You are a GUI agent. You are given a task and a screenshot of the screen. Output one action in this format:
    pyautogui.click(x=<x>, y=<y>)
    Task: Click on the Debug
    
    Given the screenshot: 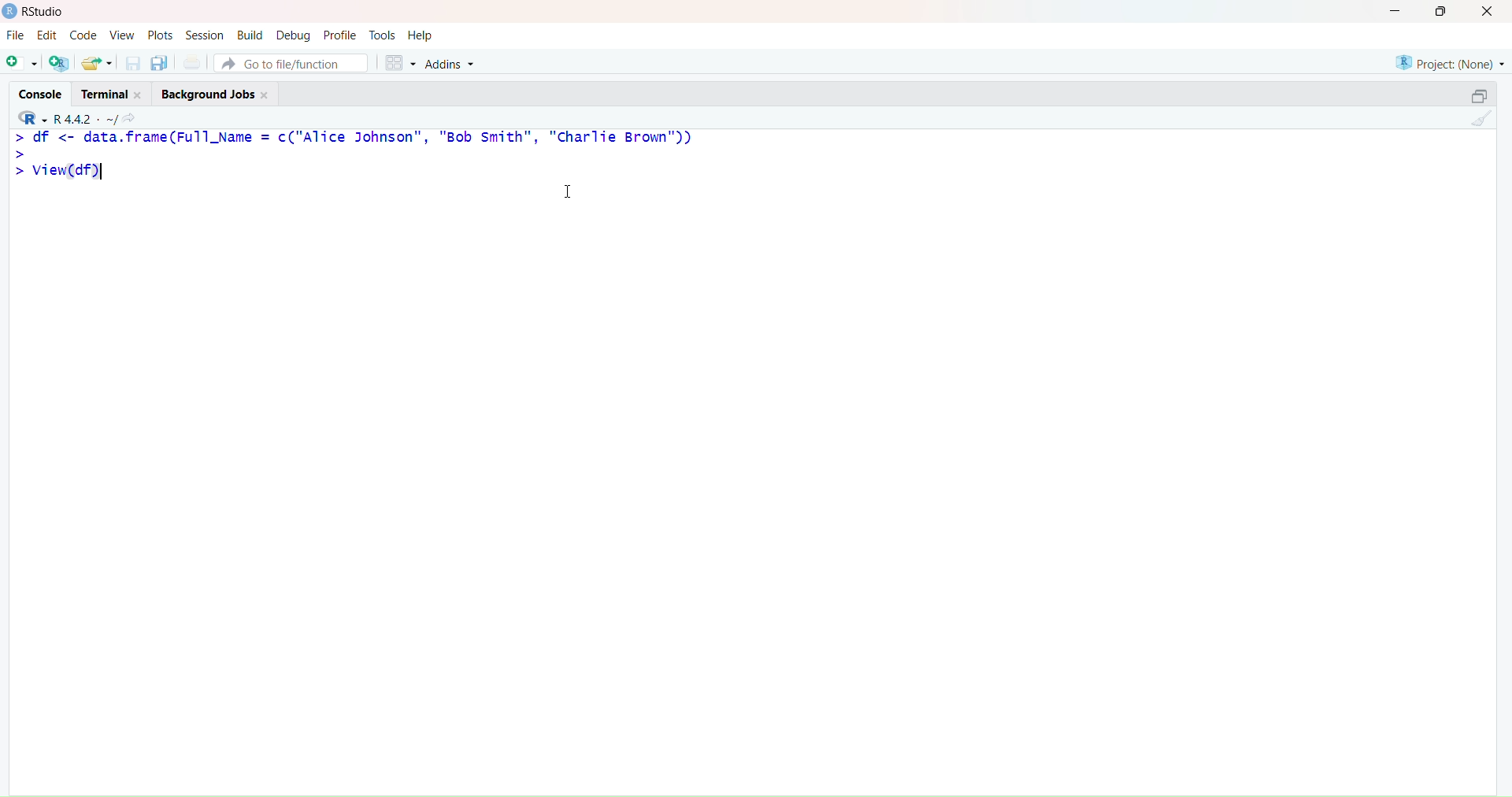 What is the action you would take?
    pyautogui.click(x=293, y=35)
    